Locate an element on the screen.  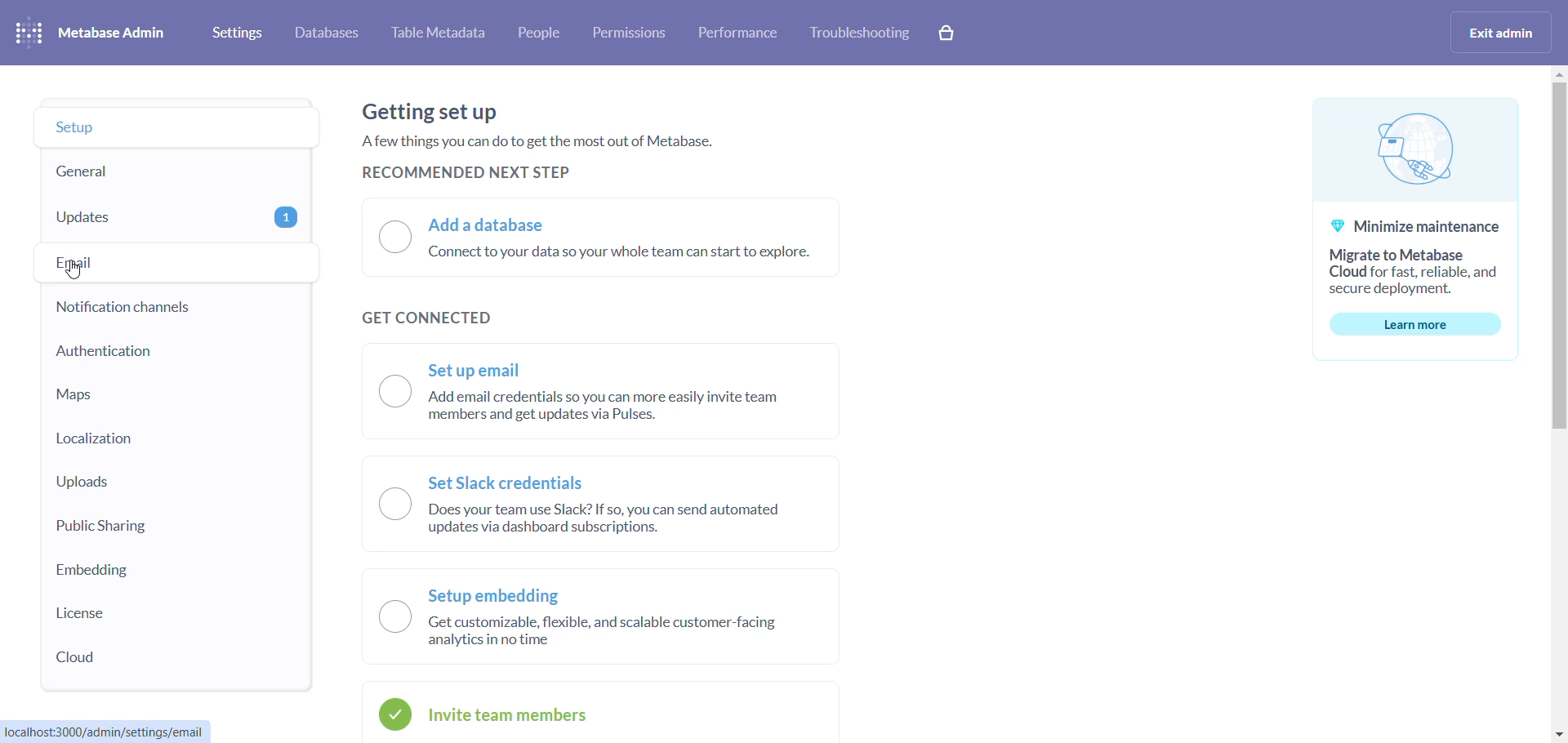
O Add a database
Connect to your data so your whole team can start to explore. is located at coordinates (595, 247).